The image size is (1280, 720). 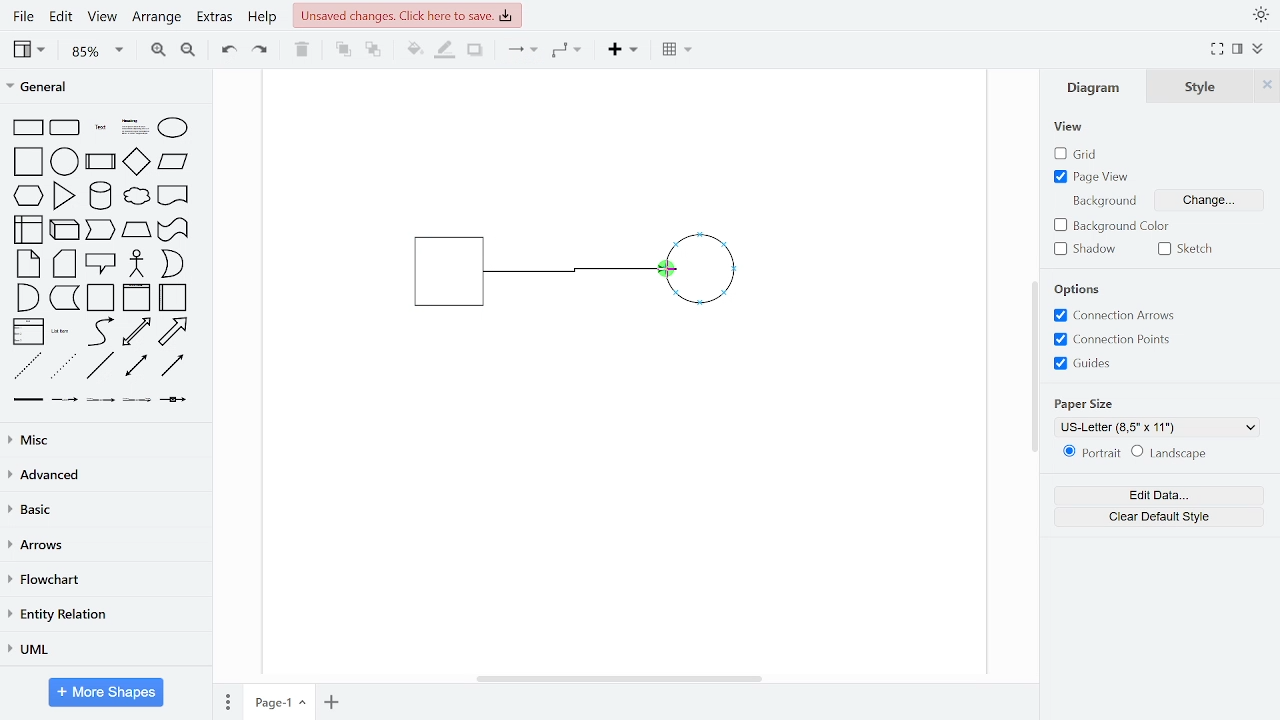 I want to click on note, so click(x=30, y=263).